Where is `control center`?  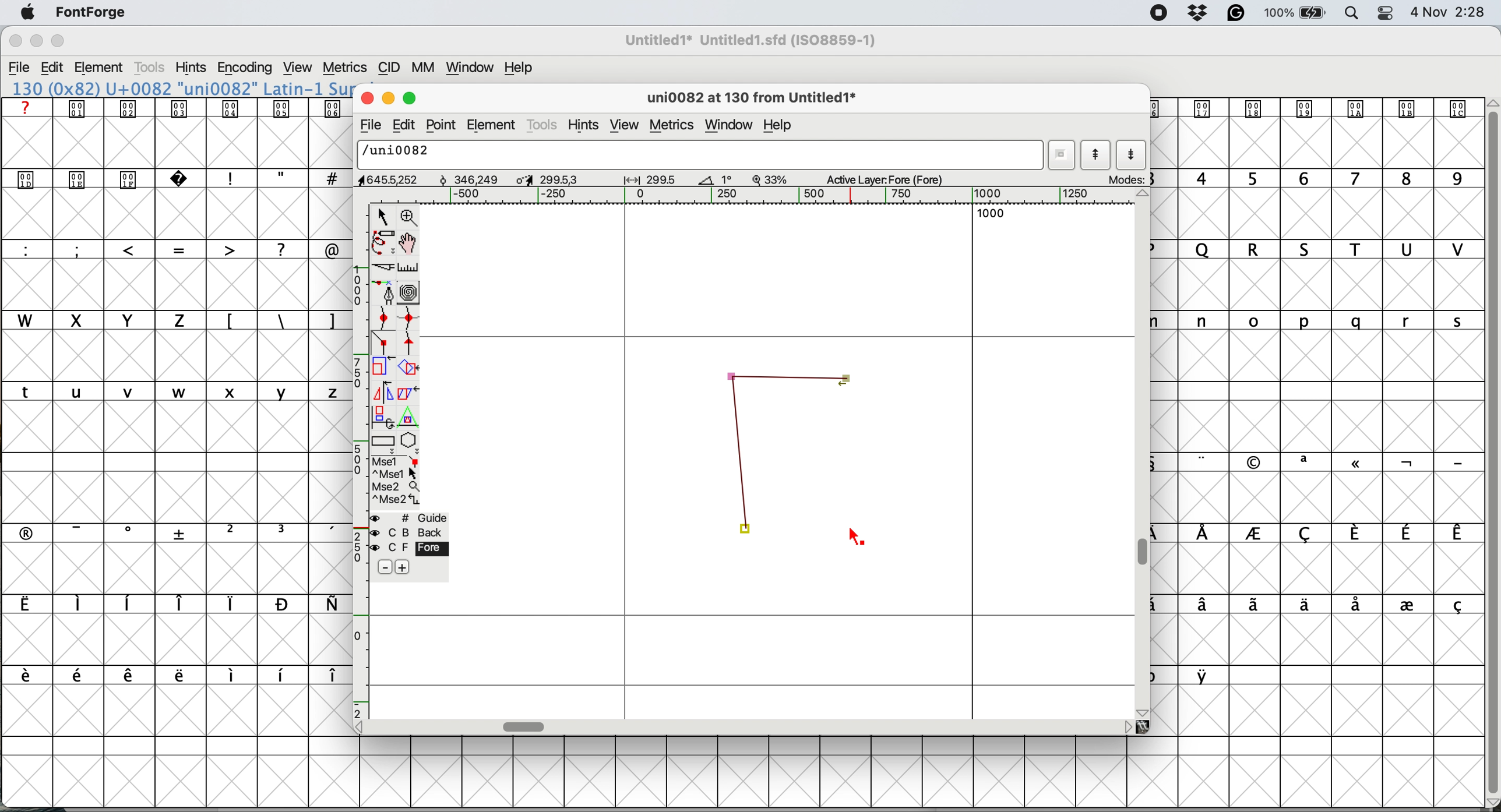
control center is located at coordinates (1384, 13).